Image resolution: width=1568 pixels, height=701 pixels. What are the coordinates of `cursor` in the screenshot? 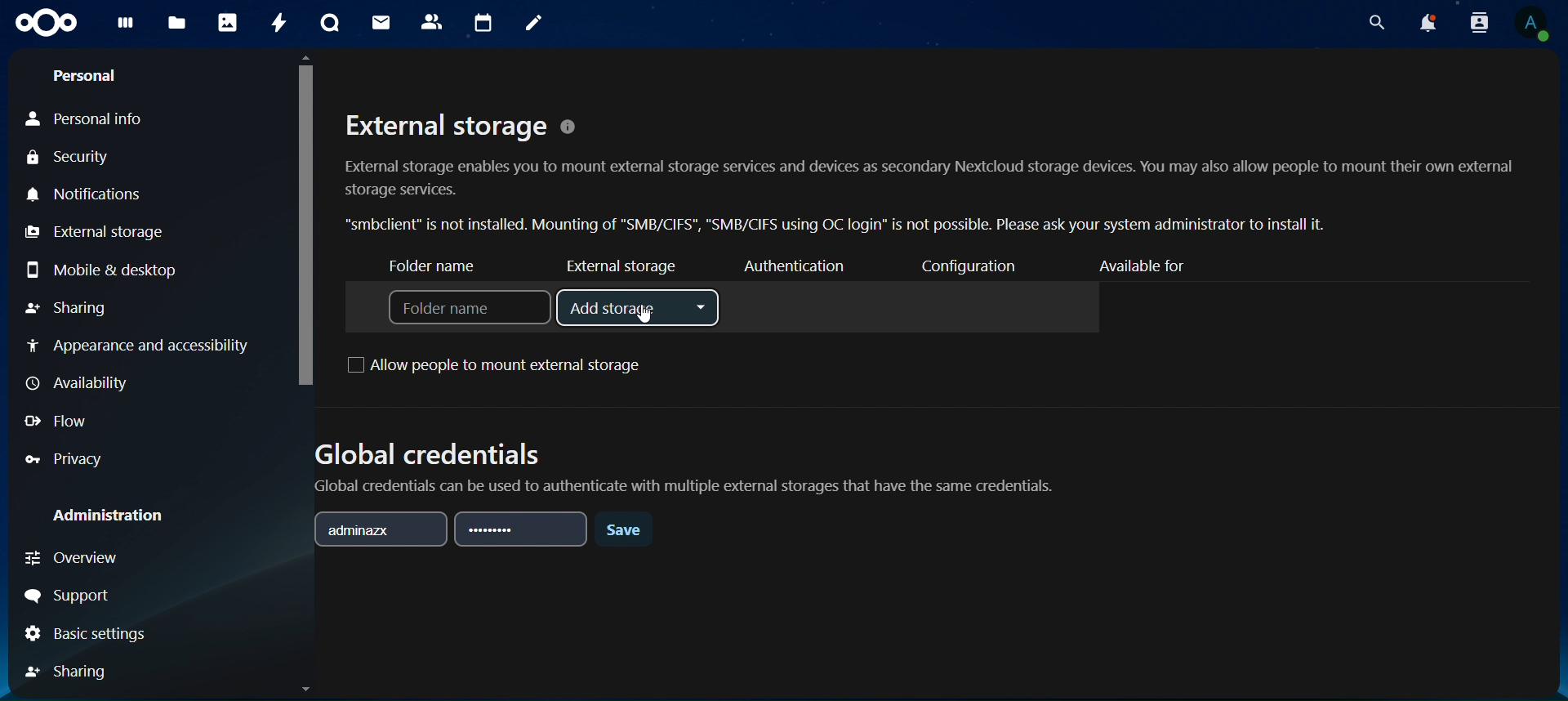 It's located at (305, 221).